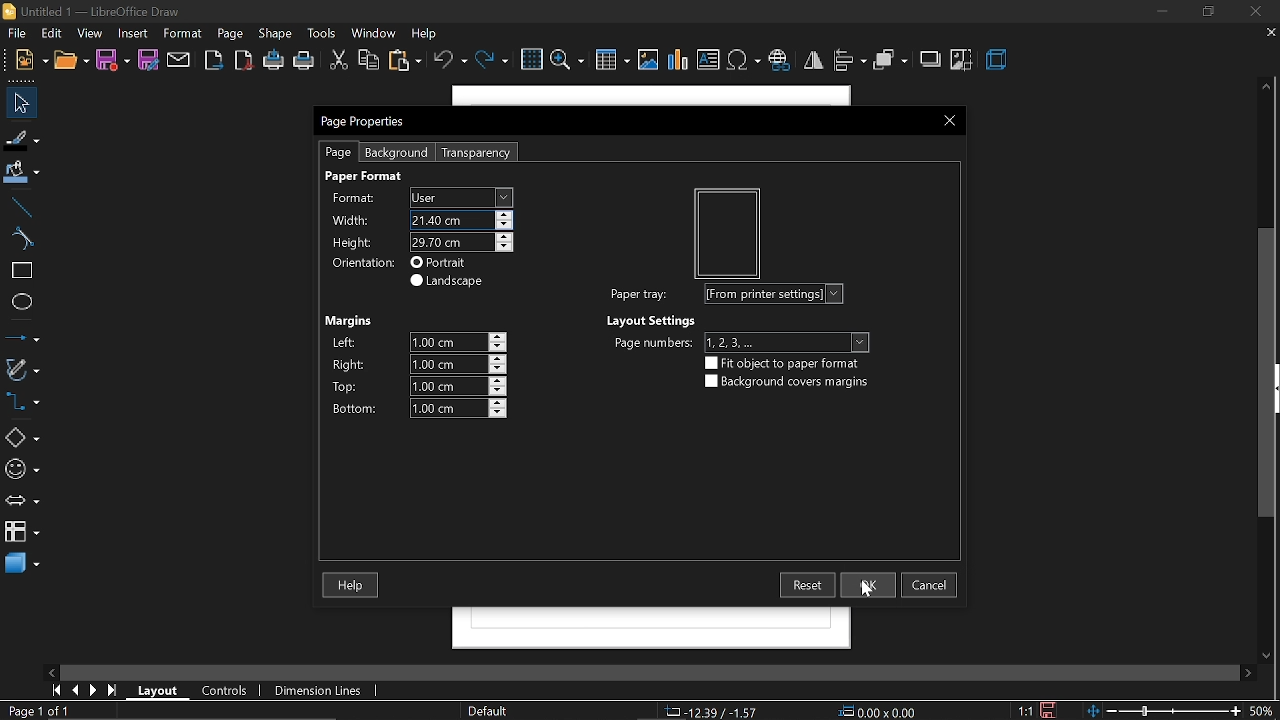 This screenshot has width=1280, height=720. What do you see at coordinates (183, 34) in the screenshot?
I see `format` at bounding box center [183, 34].